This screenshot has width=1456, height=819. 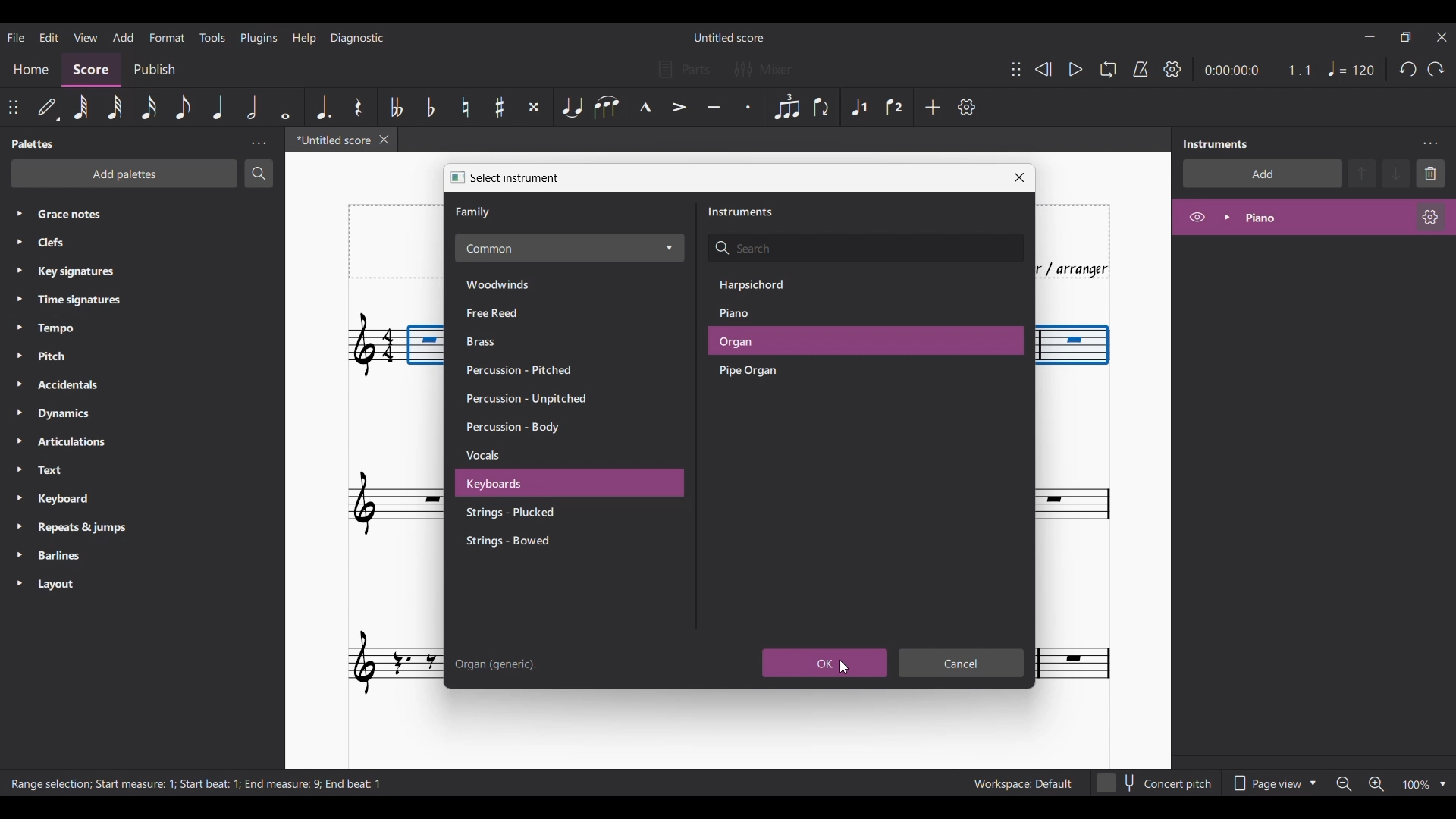 What do you see at coordinates (1019, 177) in the screenshot?
I see `Close` at bounding box center [1019, 177].